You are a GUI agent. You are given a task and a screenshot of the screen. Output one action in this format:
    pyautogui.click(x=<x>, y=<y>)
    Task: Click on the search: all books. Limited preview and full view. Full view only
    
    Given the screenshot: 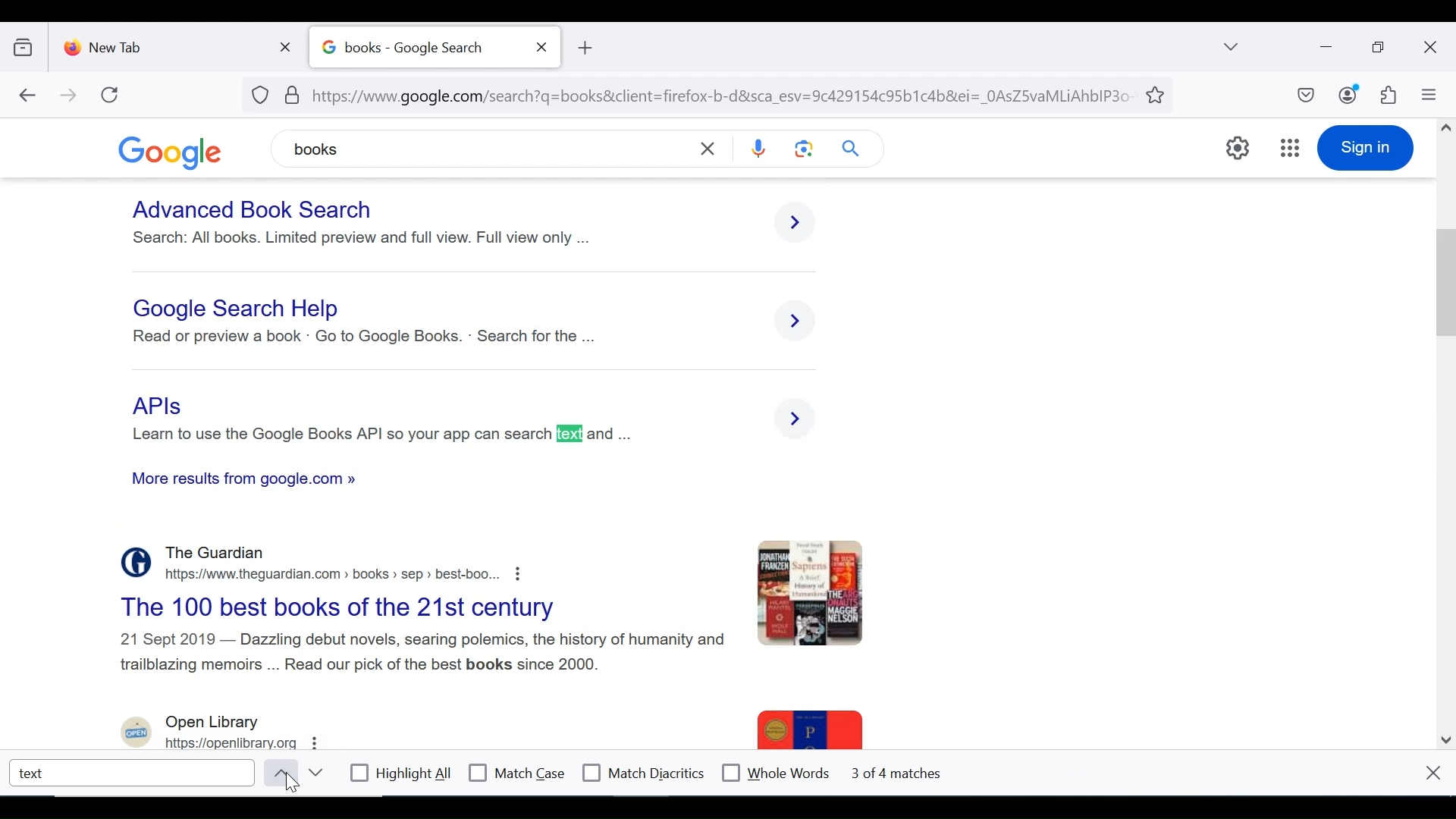 What is the action you would take?
    pyautogui.click(x=361, y=237)
    